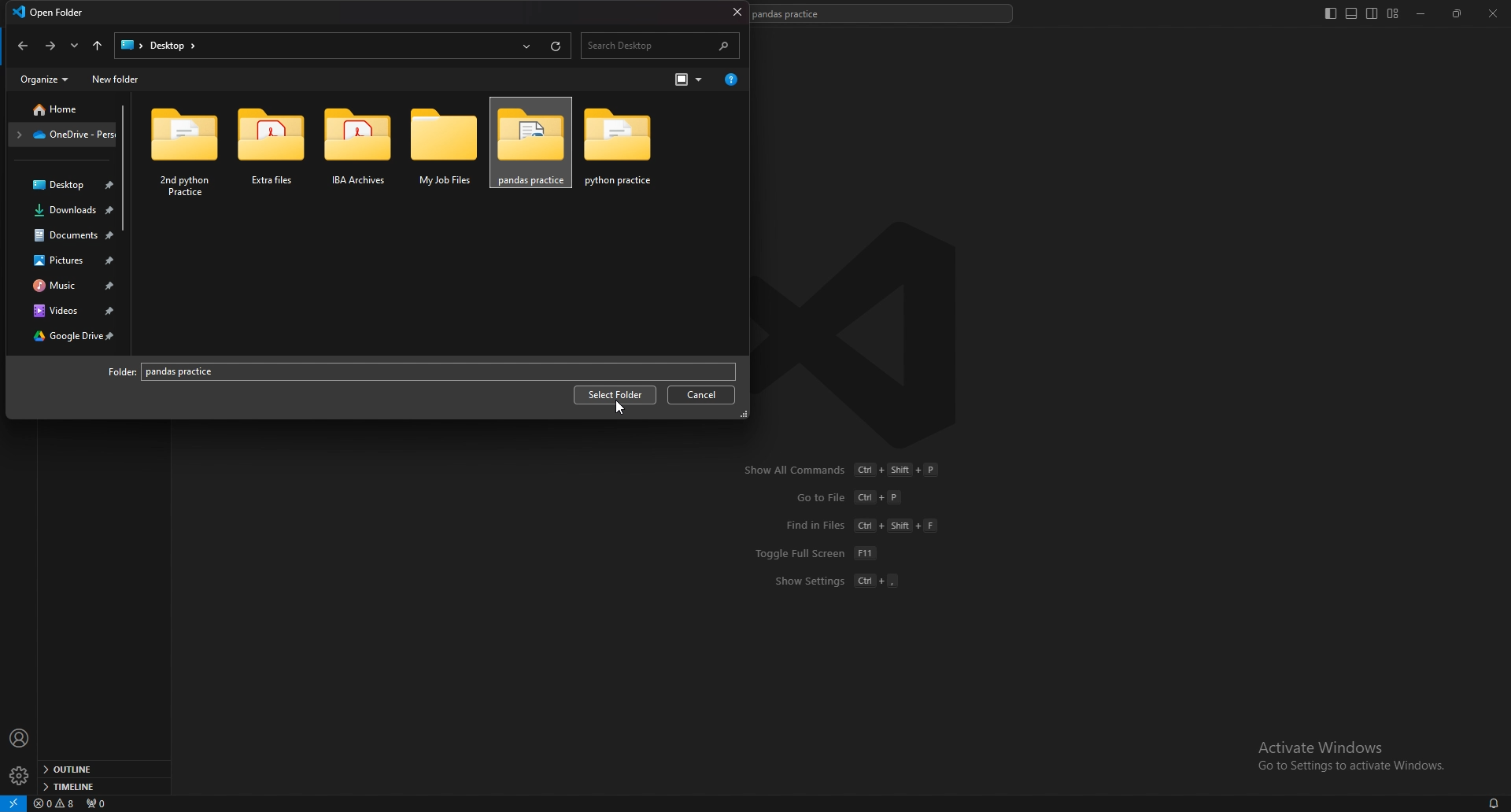  What do you see at coordinates (1459, 13) in the screenshot?
I see `resize` at bounding box center [1459, 13].